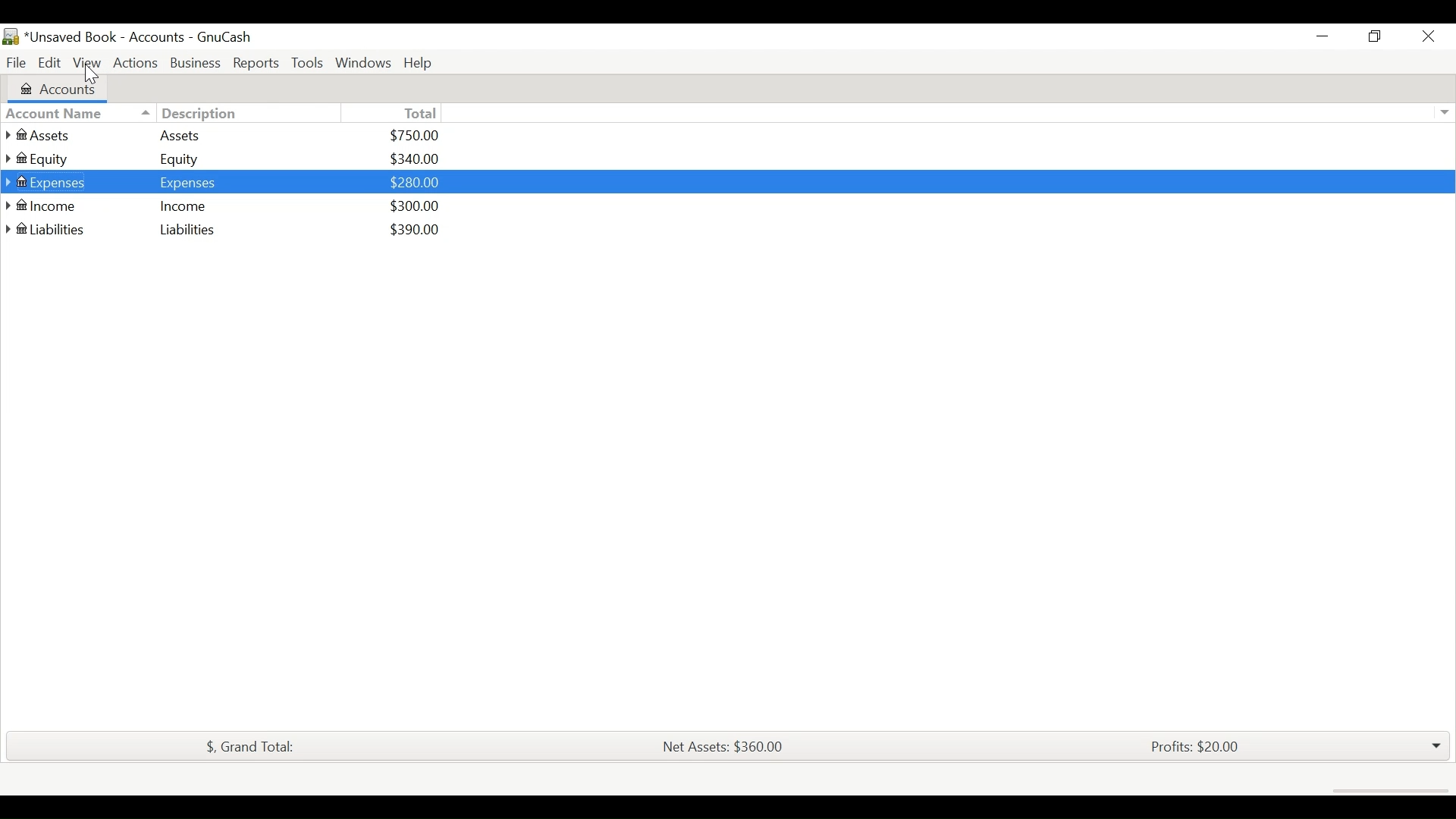 This screenshot has height=819, width=1456. I want to click on Business, so click(195, 63).